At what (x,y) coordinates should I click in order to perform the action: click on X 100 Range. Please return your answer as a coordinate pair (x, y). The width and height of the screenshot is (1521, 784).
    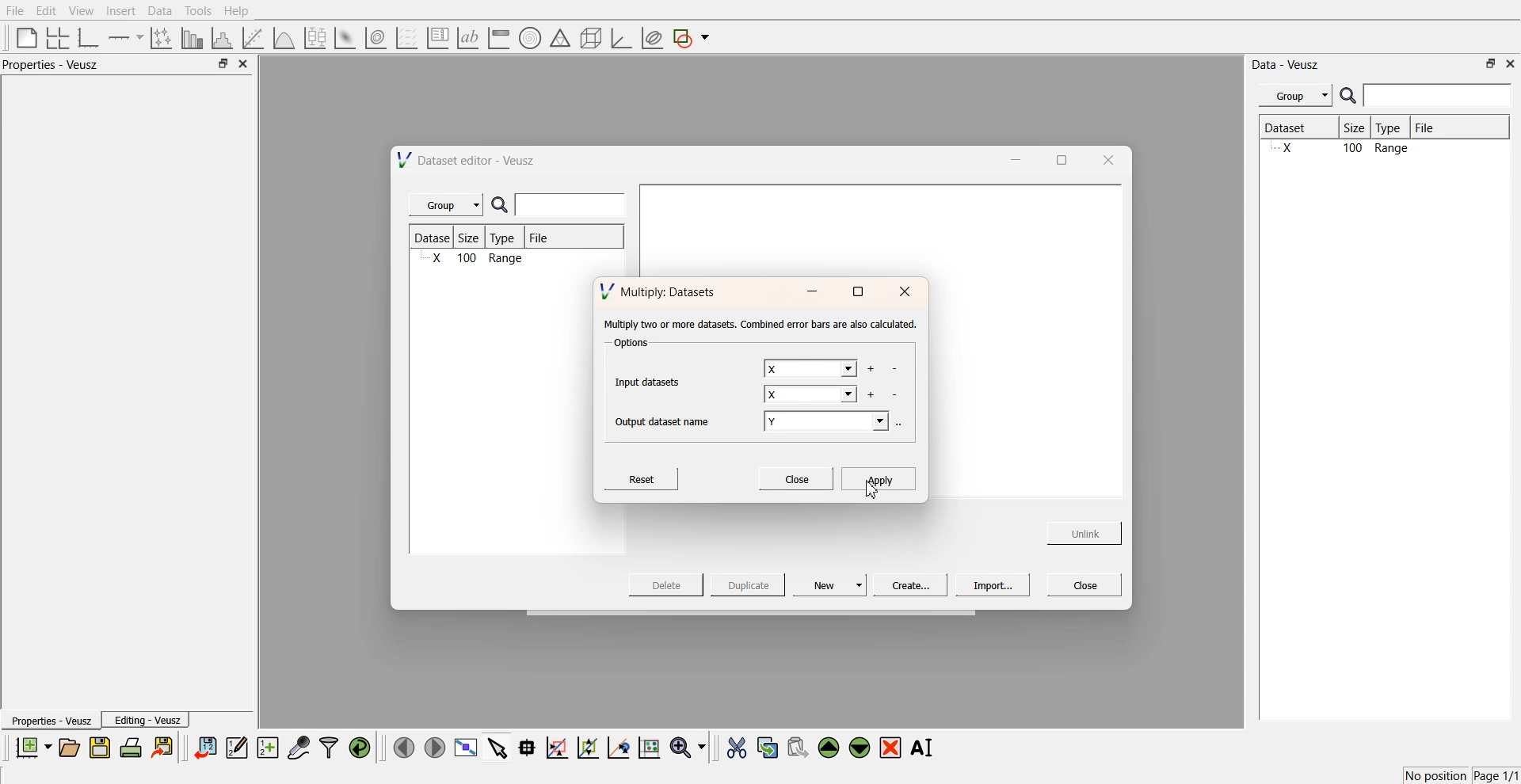
    Looking at the image, I should click on (475, 260).